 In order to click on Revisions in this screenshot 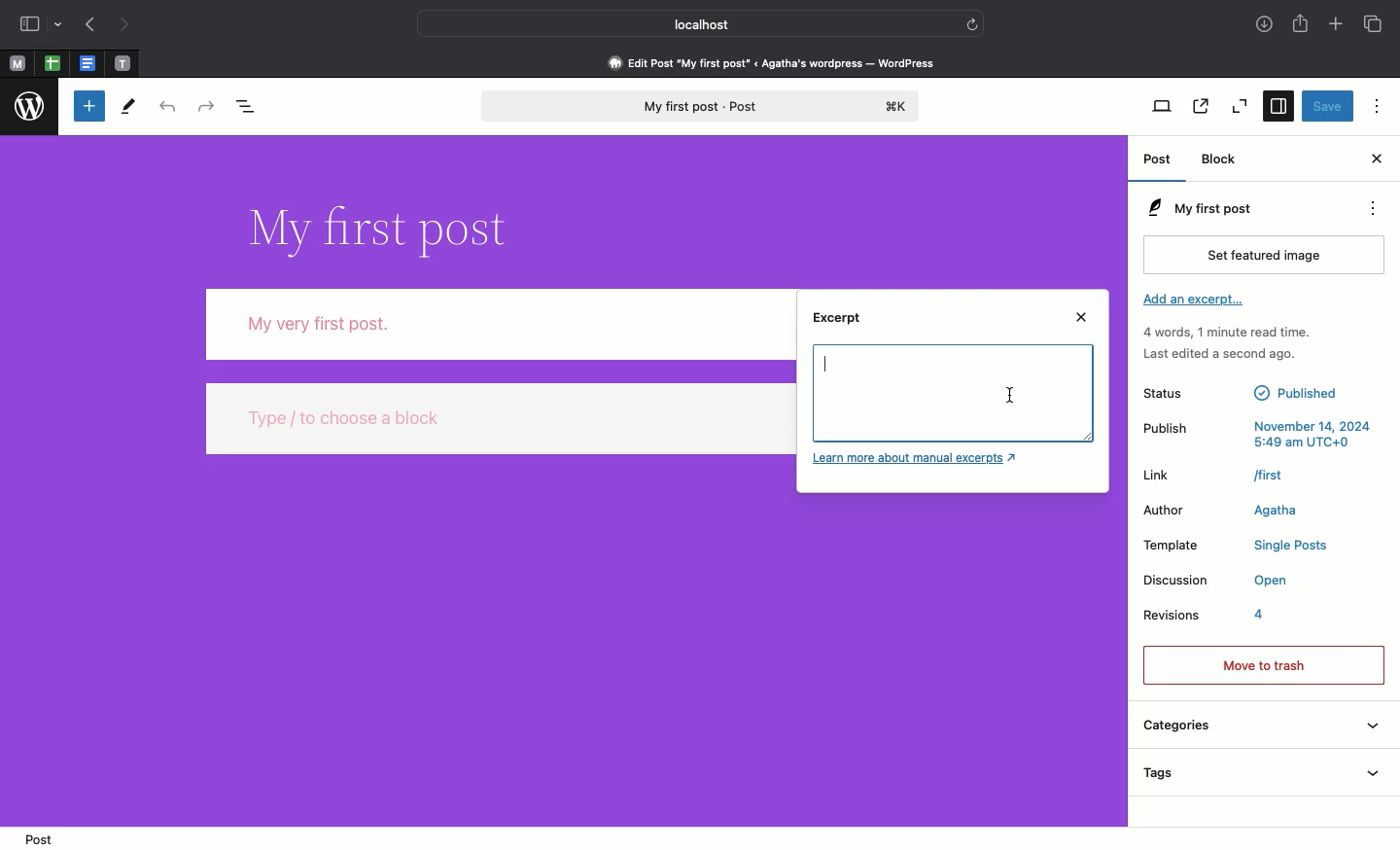, I will do `click(1207, 619)`.